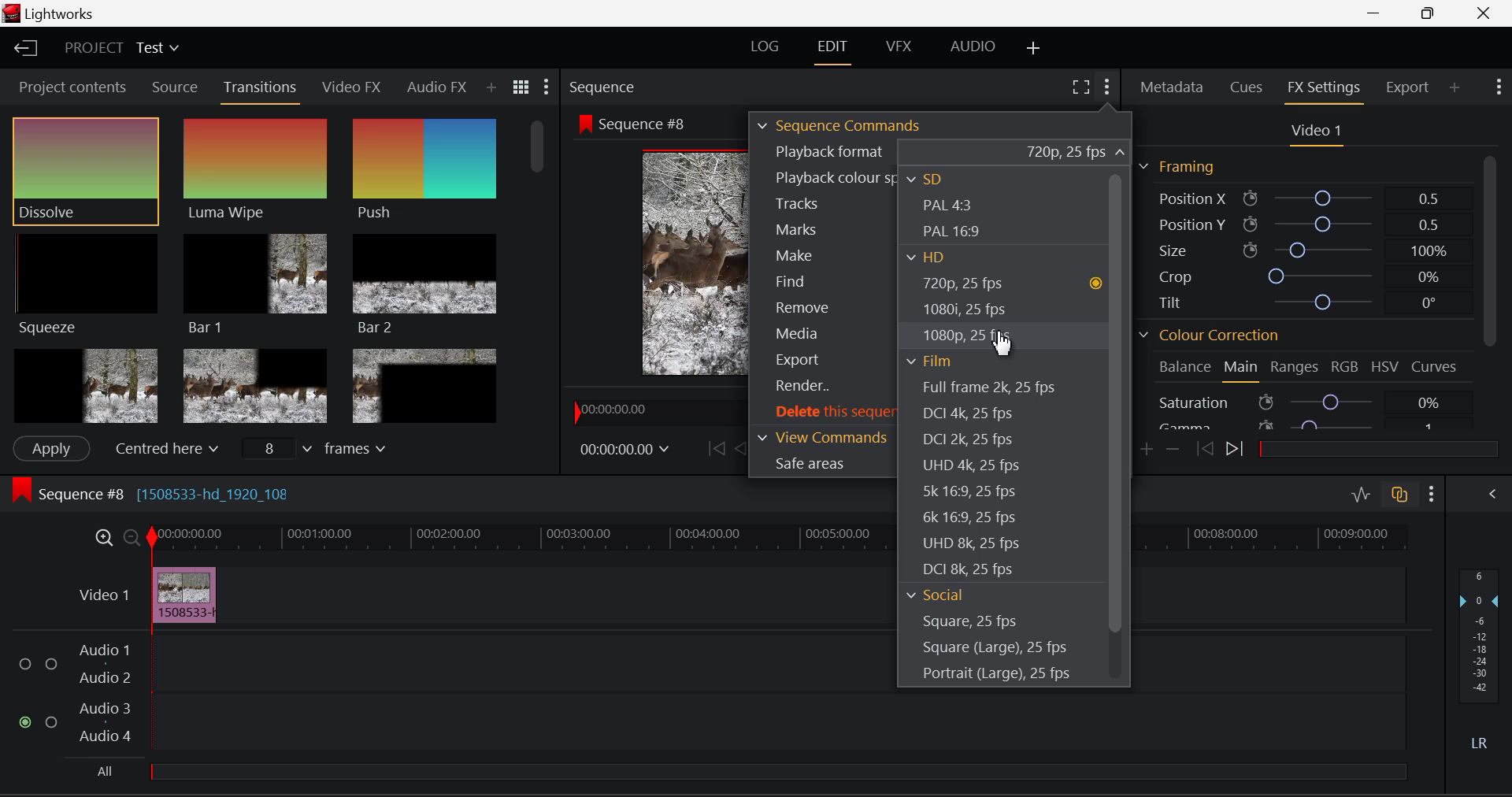 The height and width of the screenshot is (797, 1512). What do you see at coordinates (896, 50) in the screenshot?
I see `VFX Layout` at bounding box center [896, 50].